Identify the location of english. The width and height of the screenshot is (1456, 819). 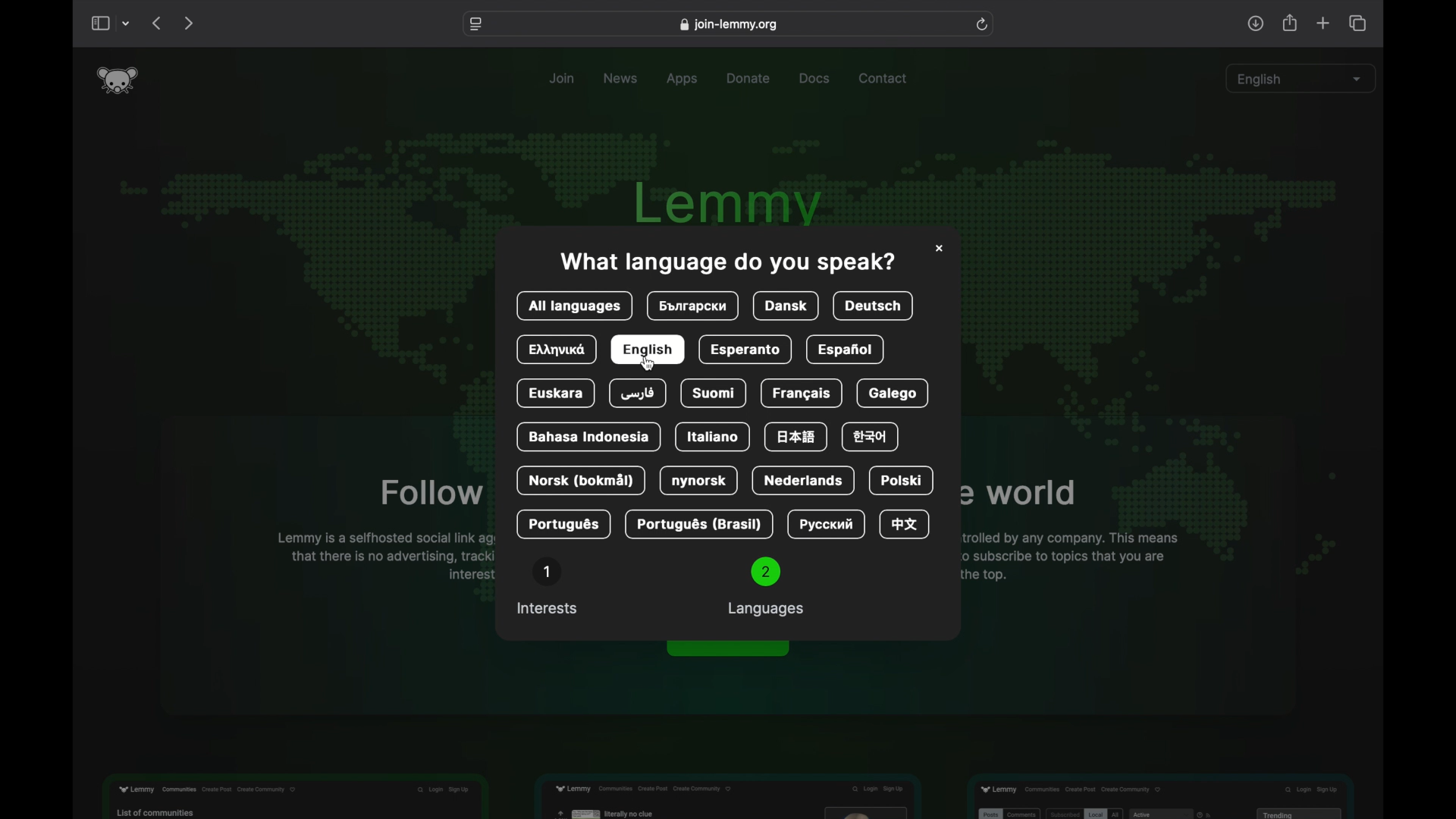
(648, 350).